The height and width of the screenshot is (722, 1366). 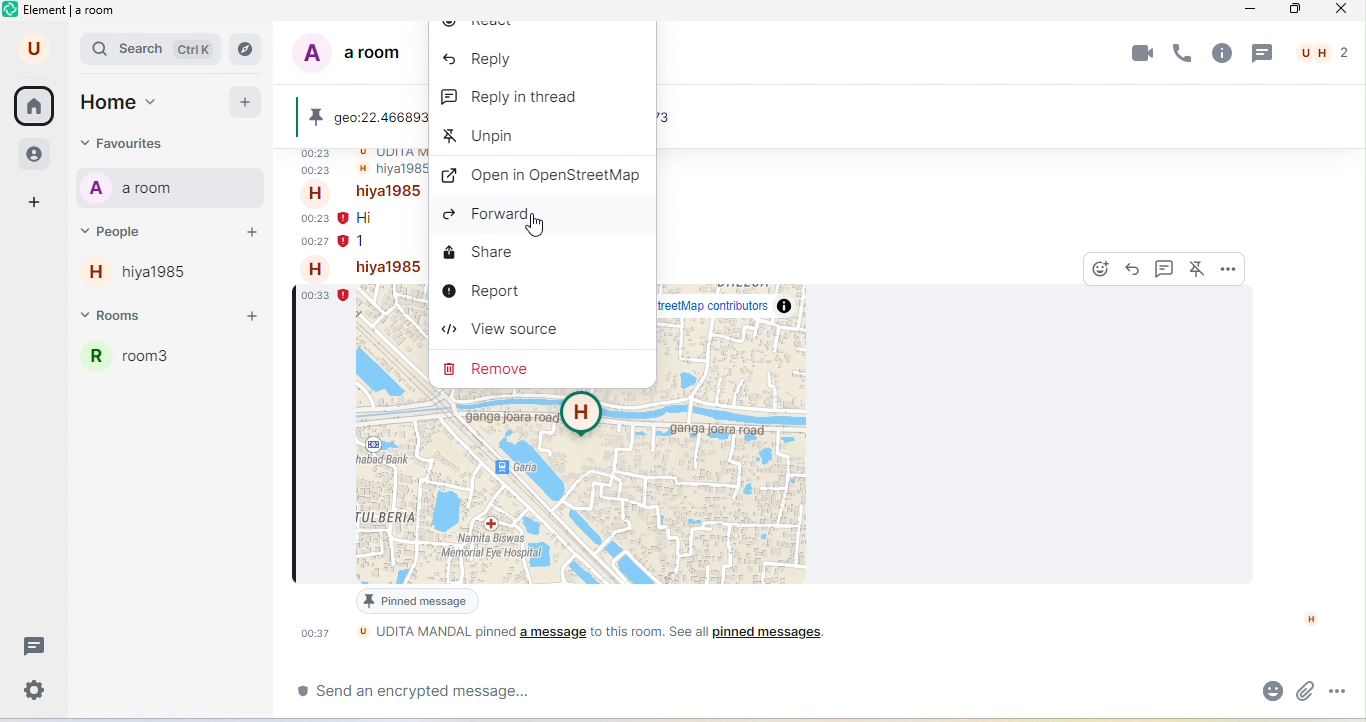 I want to click on street map, so click(x=605, y=487).